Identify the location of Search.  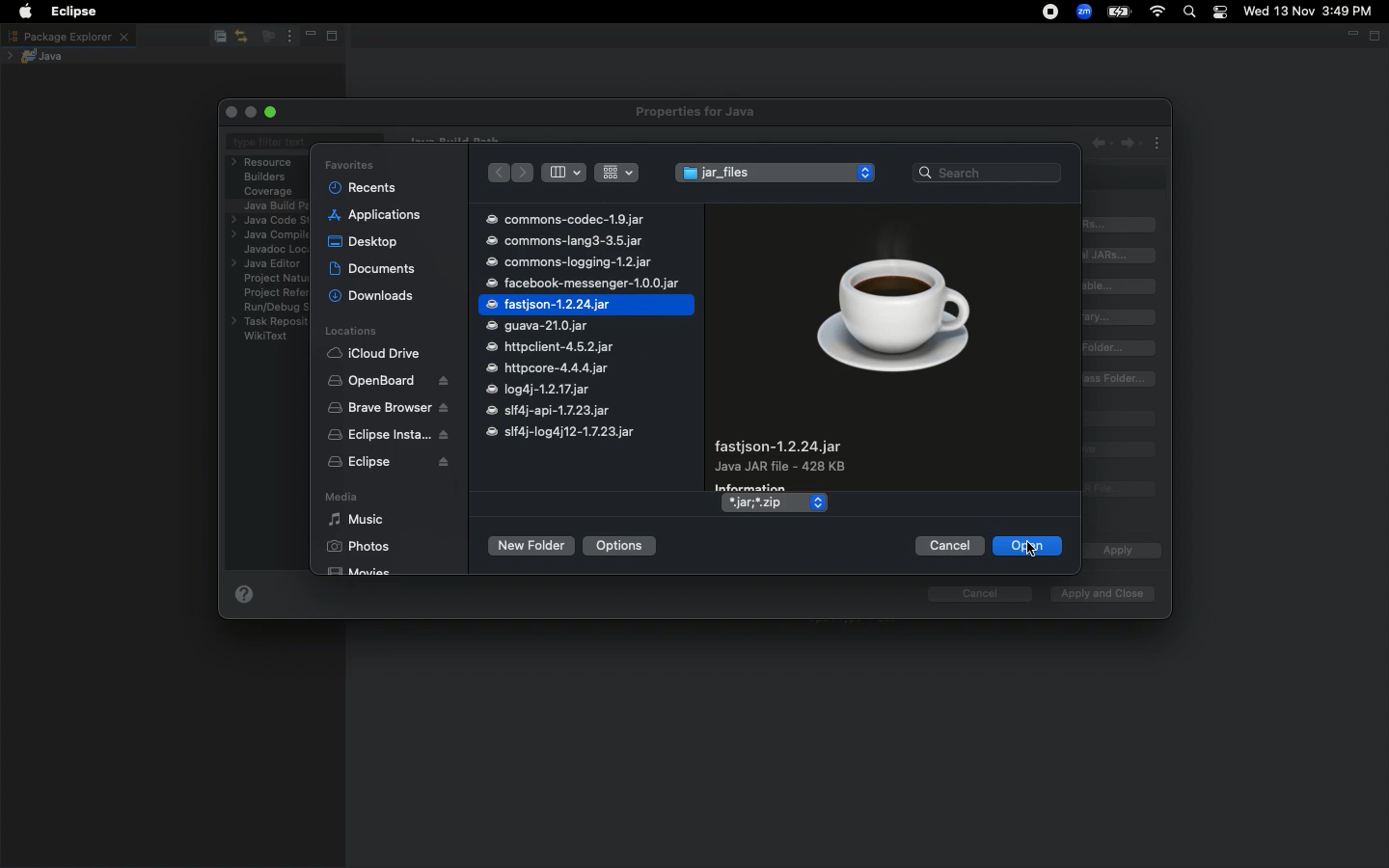
(1190, 14).